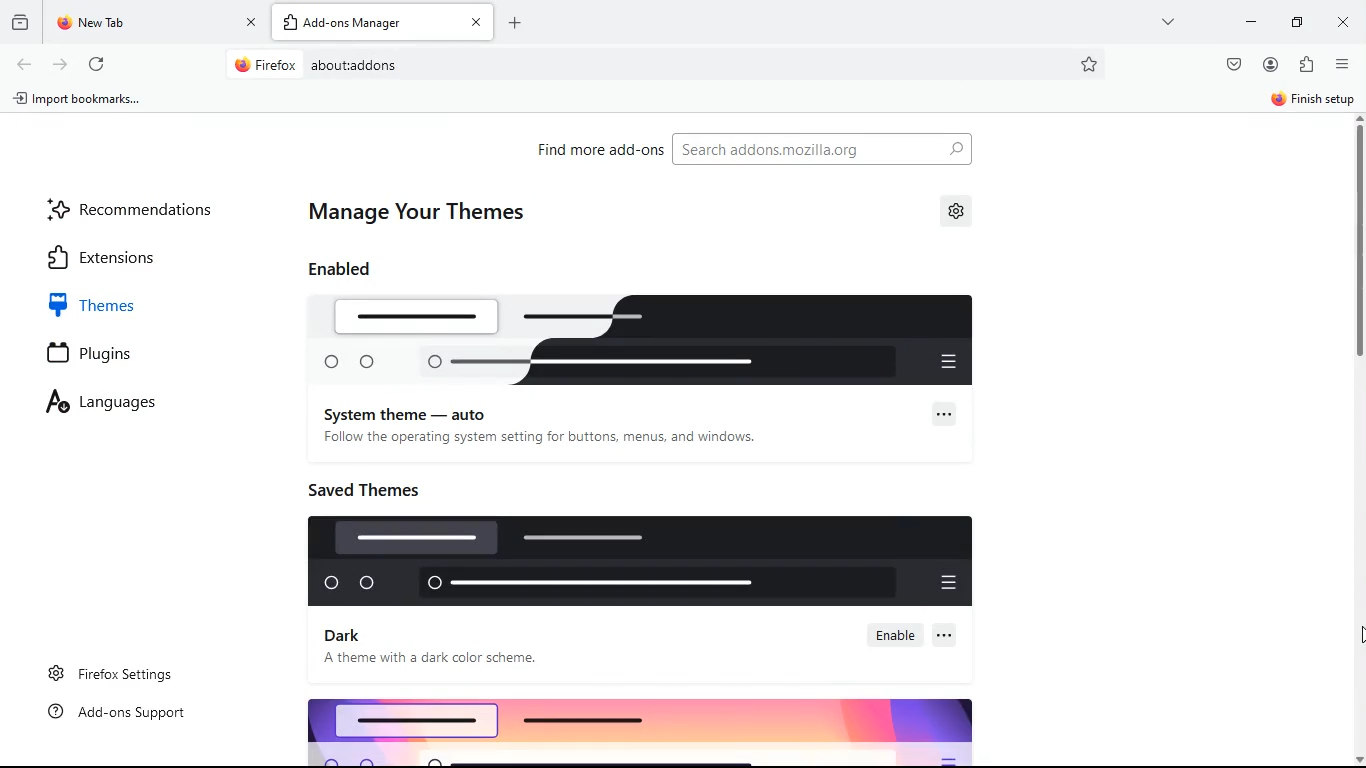 This screenshot has width=1366, height=768. What do you see at coordinates (123, 713) in the screenshot?
I see `add-ons support` at bounding box center [123, 713].